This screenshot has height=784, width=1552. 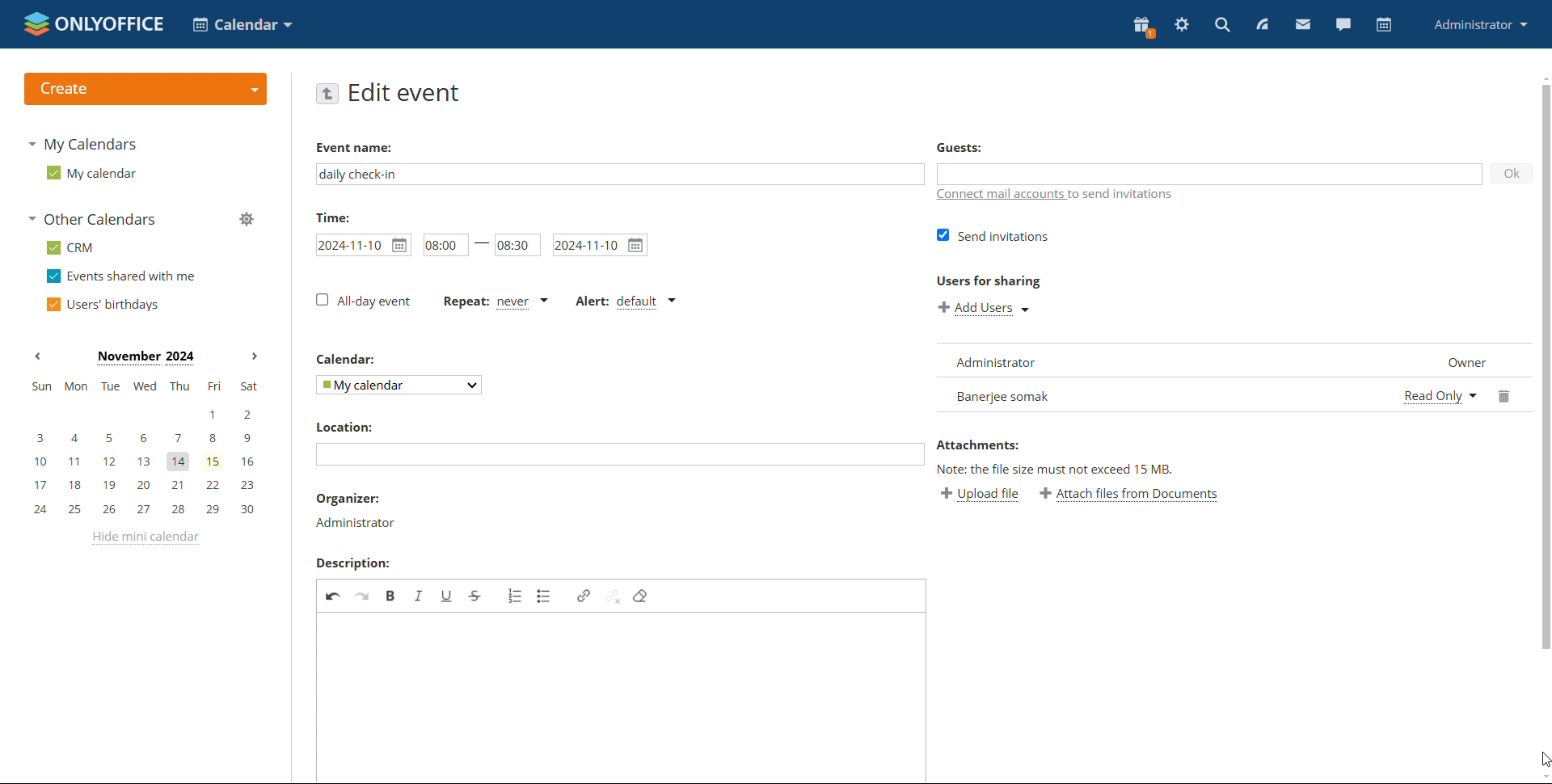 I want to click on settings, so click(x=1182, y=25).